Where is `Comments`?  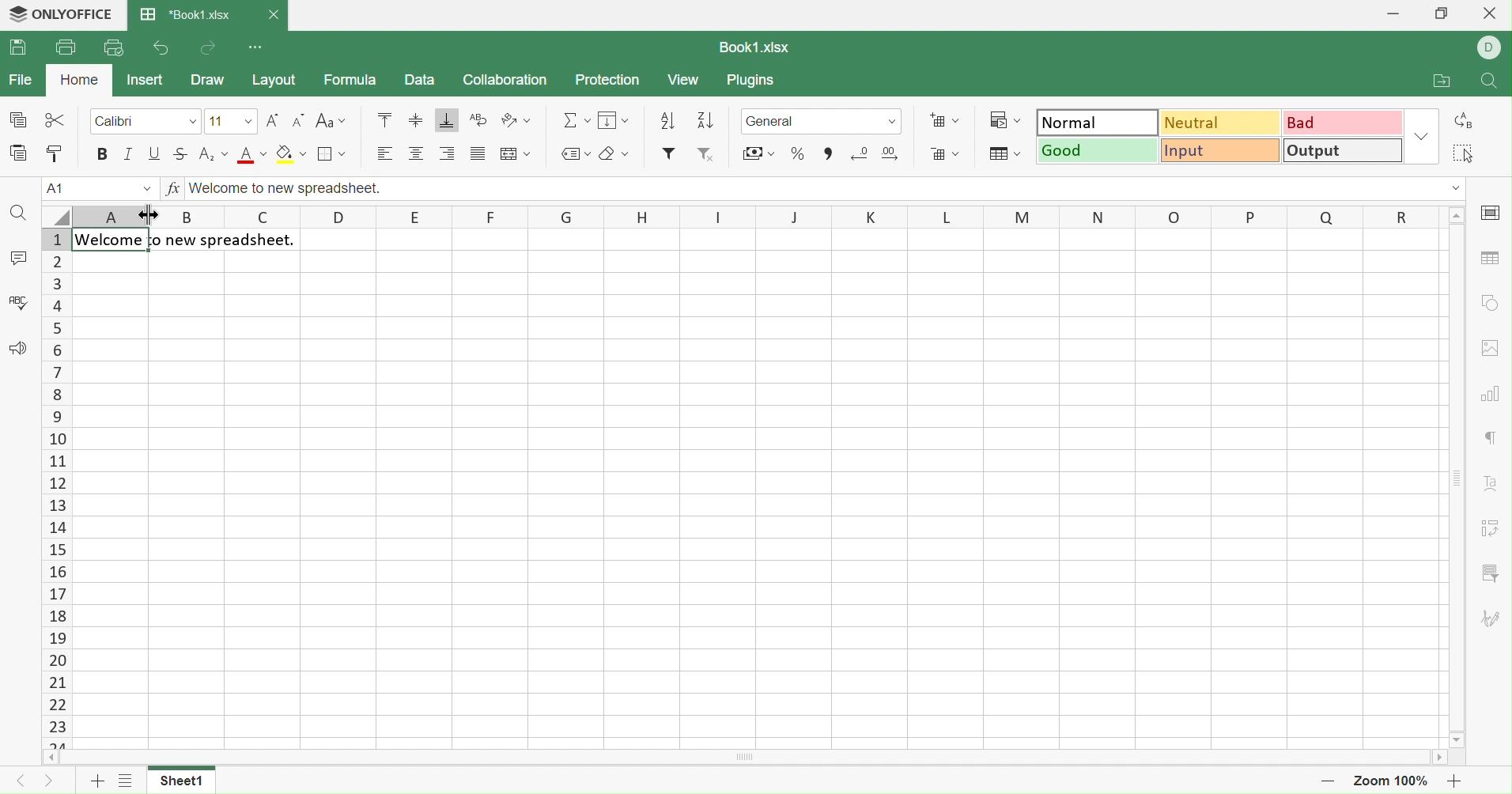 Comments is located at coordinates (18, 258).